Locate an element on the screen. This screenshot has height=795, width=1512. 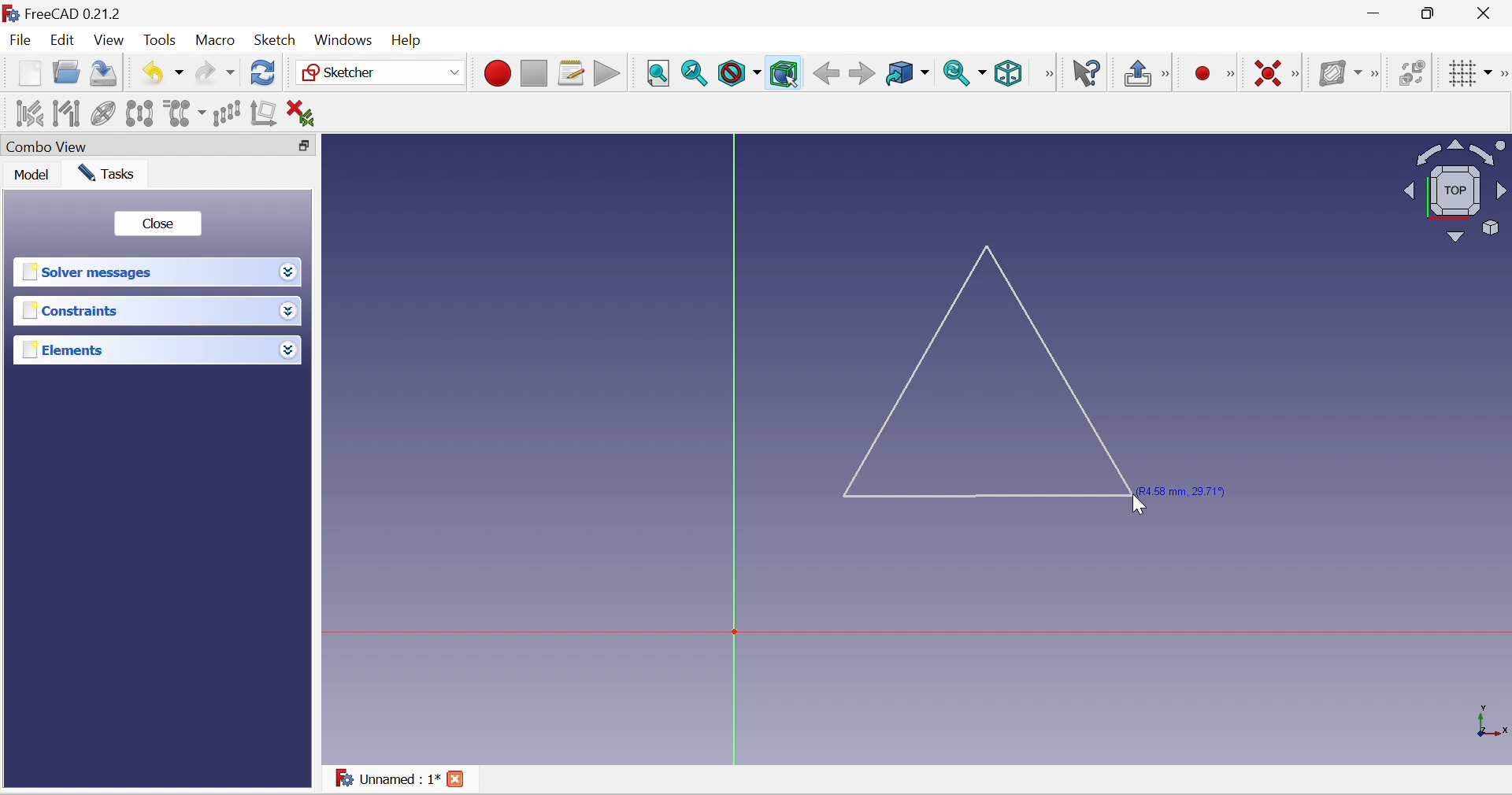
Stop macro recording is located at coordinates (534, 72).